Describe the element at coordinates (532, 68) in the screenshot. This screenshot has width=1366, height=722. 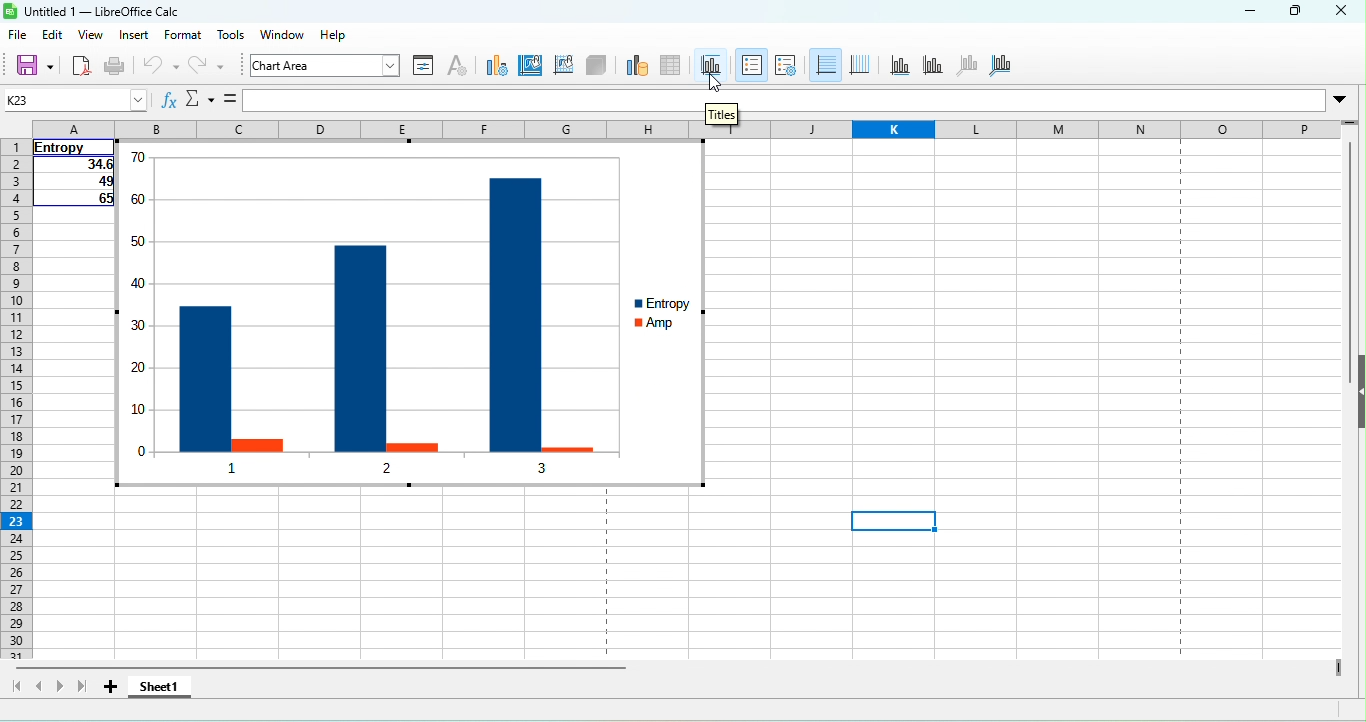
I see `chart area` at that location.